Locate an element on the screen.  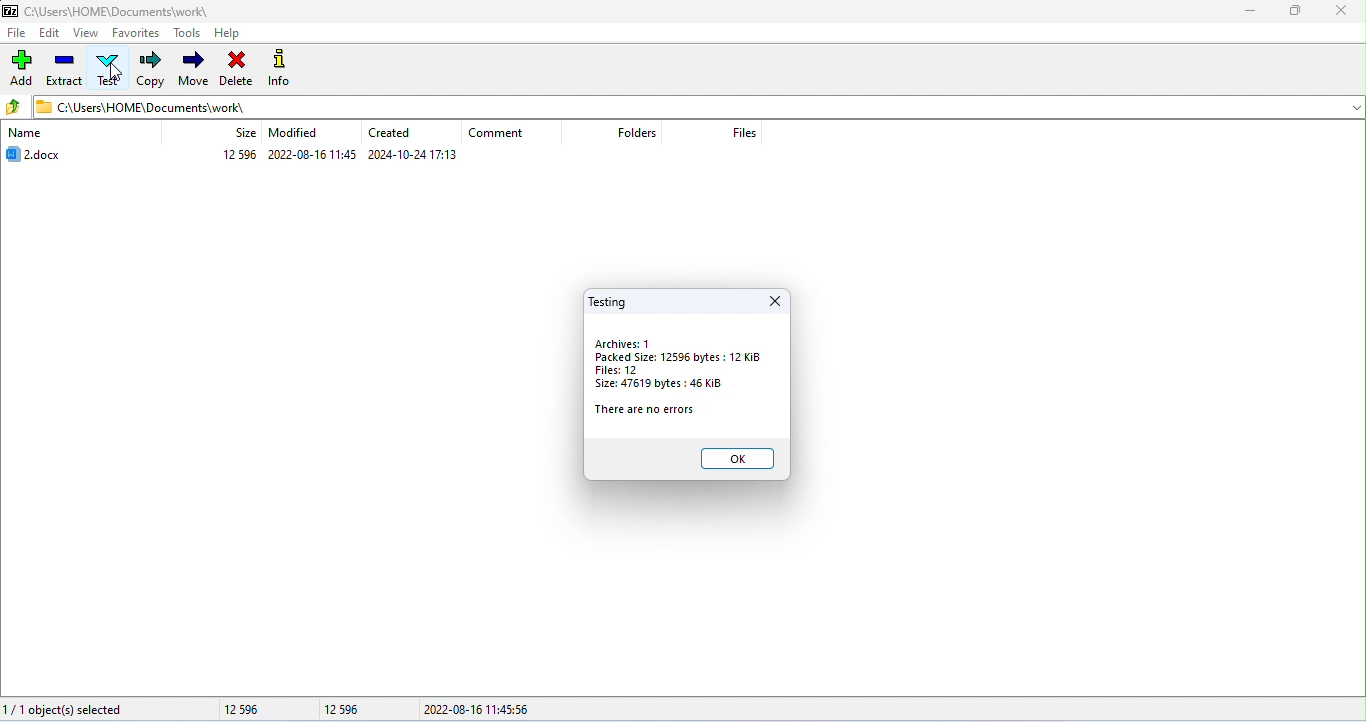
files is located at coordinates (750, 132).